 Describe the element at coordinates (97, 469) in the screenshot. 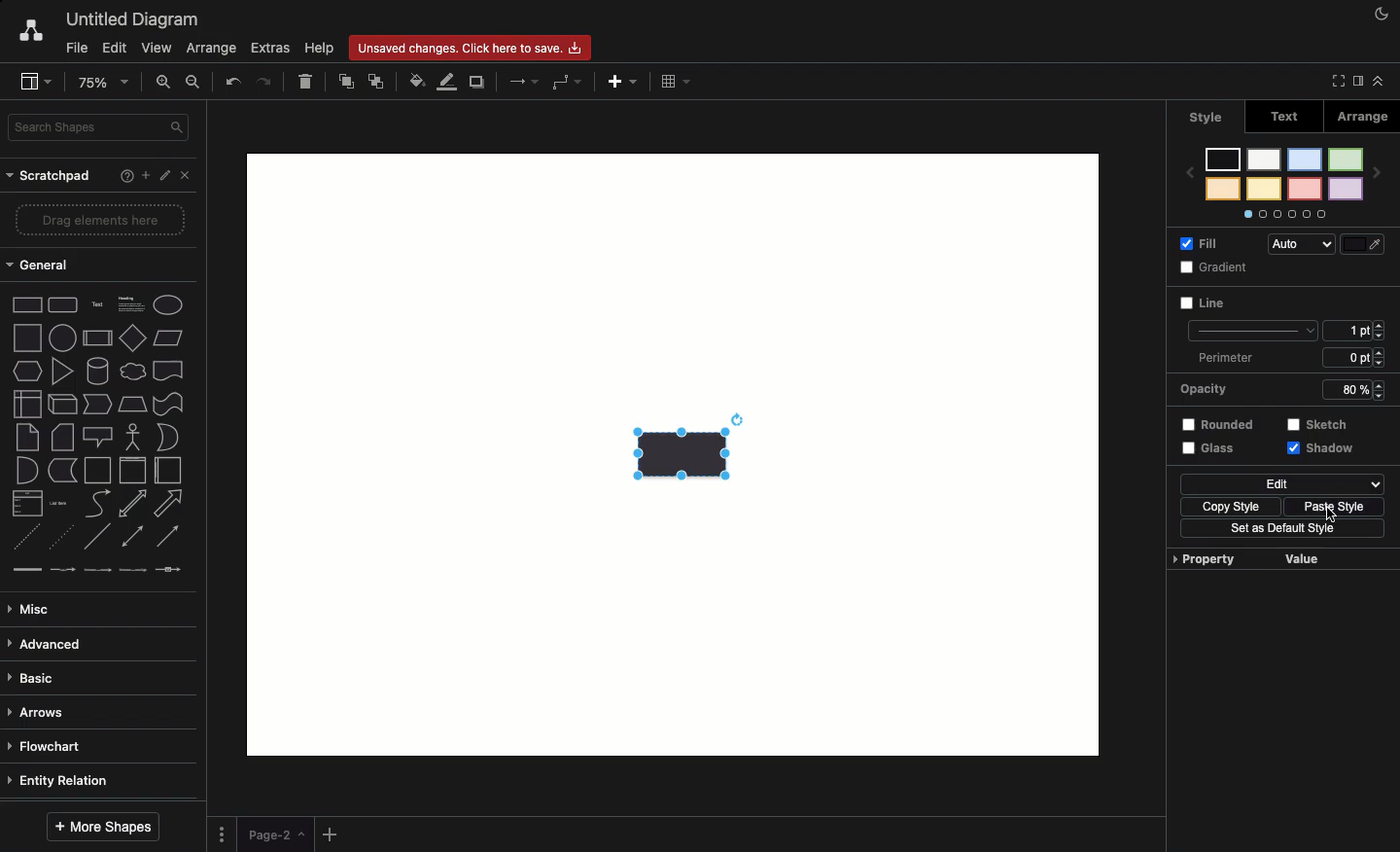

I see `container` at that location.